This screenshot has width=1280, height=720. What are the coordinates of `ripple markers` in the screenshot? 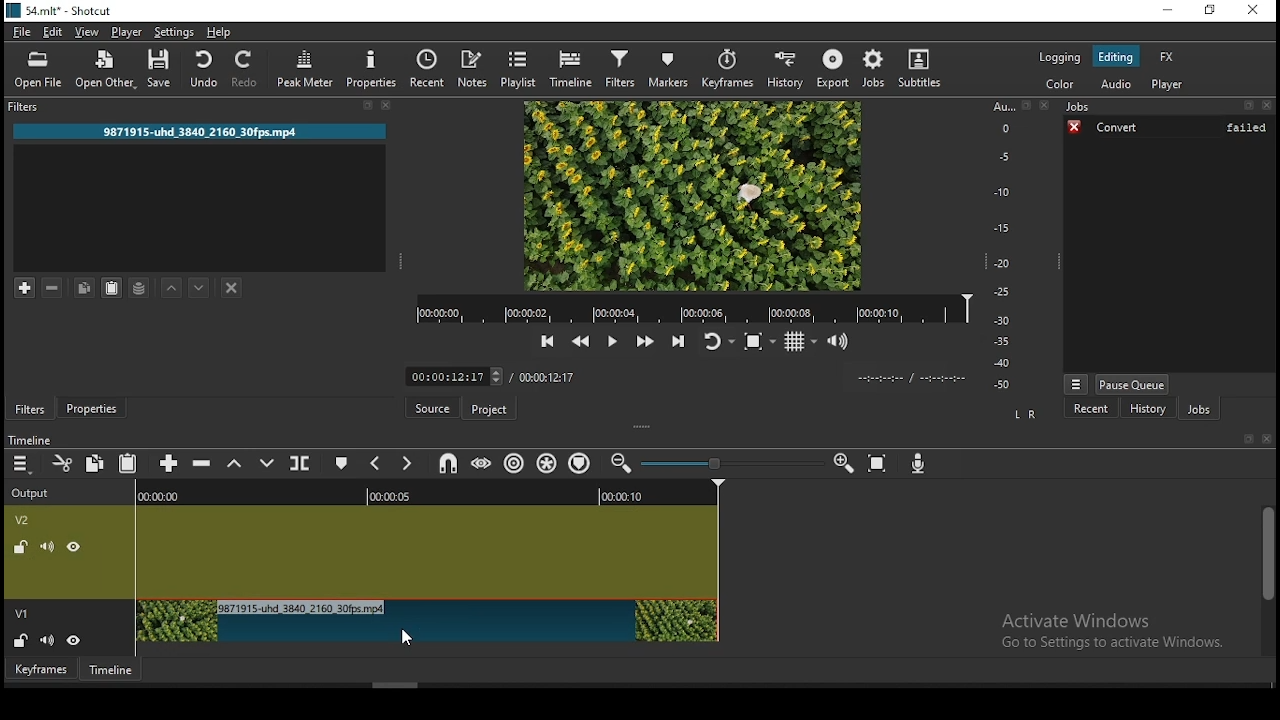 It's located at (583, 463).